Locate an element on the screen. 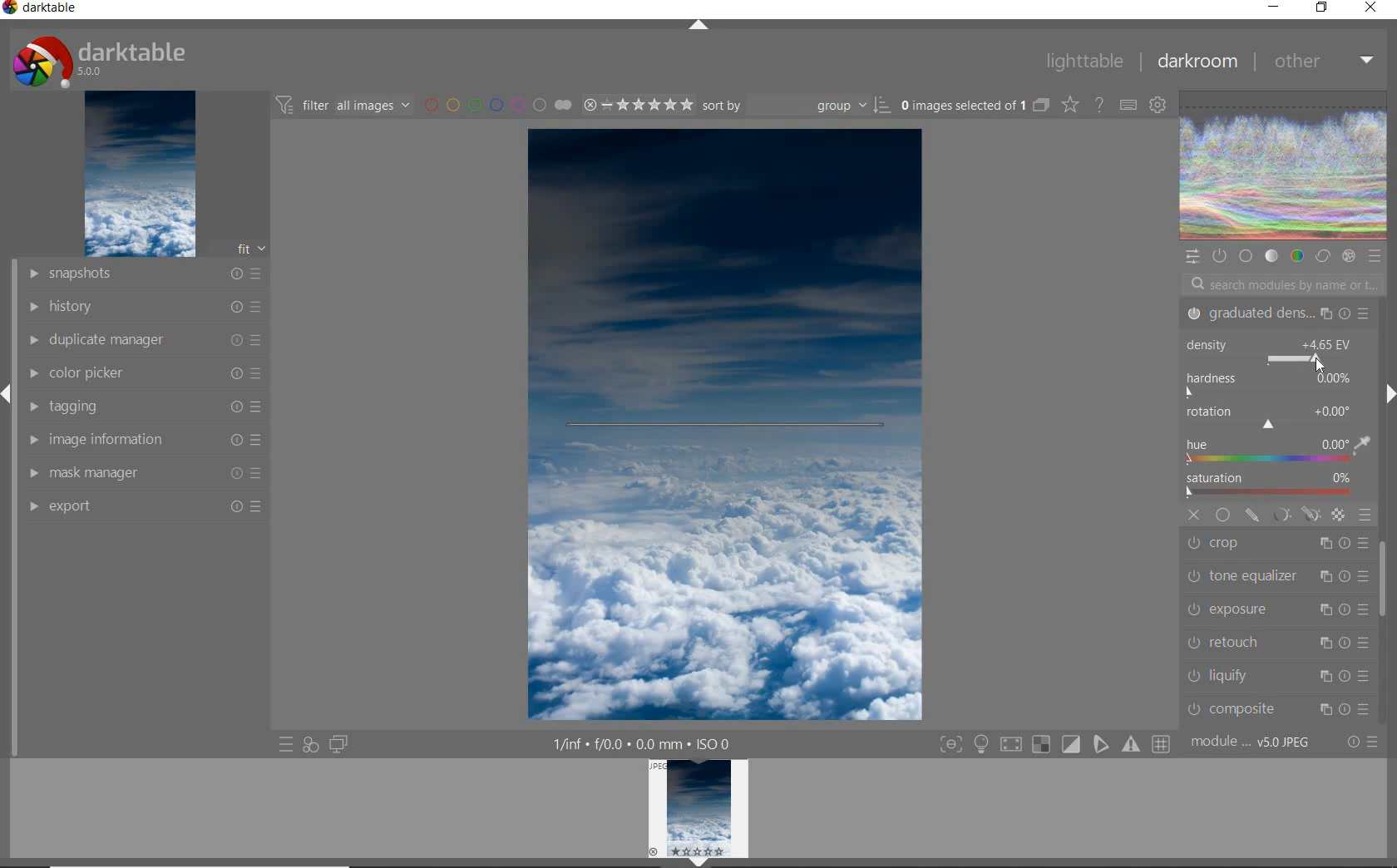 The height and width of the screenshot is (868, 1397). QUICK ACCESS FOR APLYING ANY OF YOUR STYLES is located at coordinates (310, 745).